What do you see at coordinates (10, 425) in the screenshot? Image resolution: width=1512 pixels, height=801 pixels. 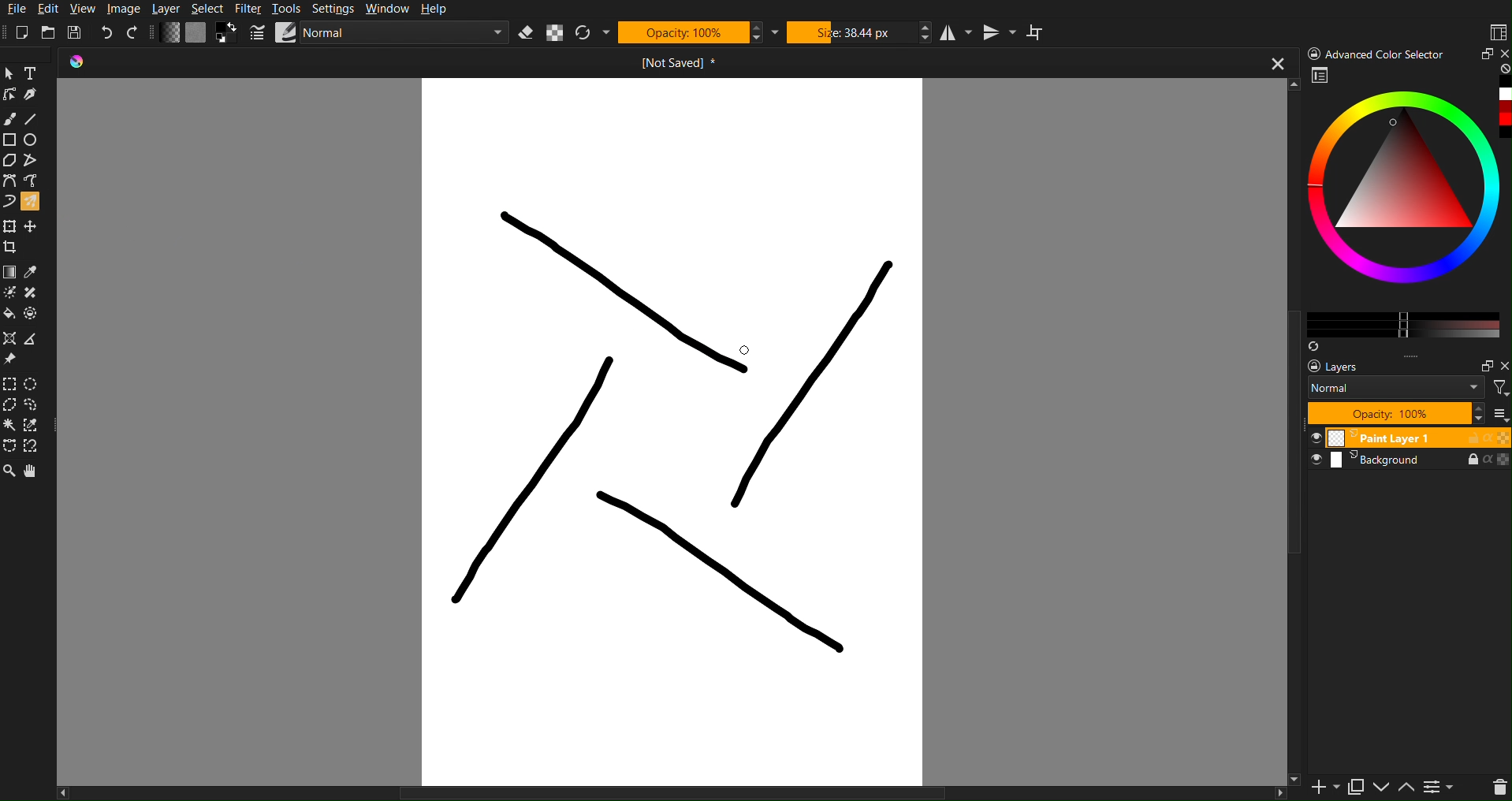 I see `Continous selection tool` at bounding box center [10, 425].